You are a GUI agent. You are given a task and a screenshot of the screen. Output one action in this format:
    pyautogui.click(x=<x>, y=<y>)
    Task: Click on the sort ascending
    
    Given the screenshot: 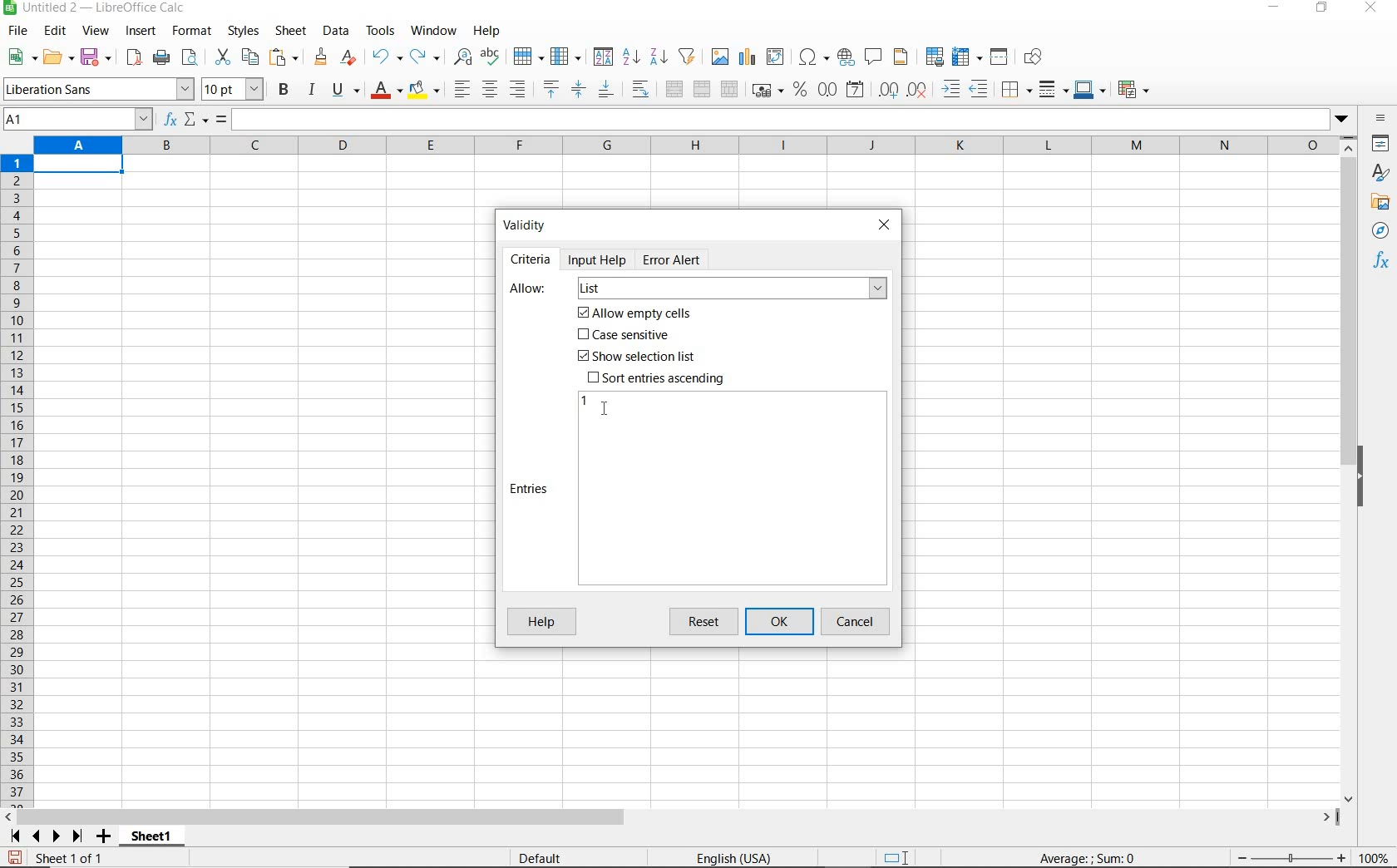 What is the action you would take?
    pyautogui.click(x=631, y=58)
    